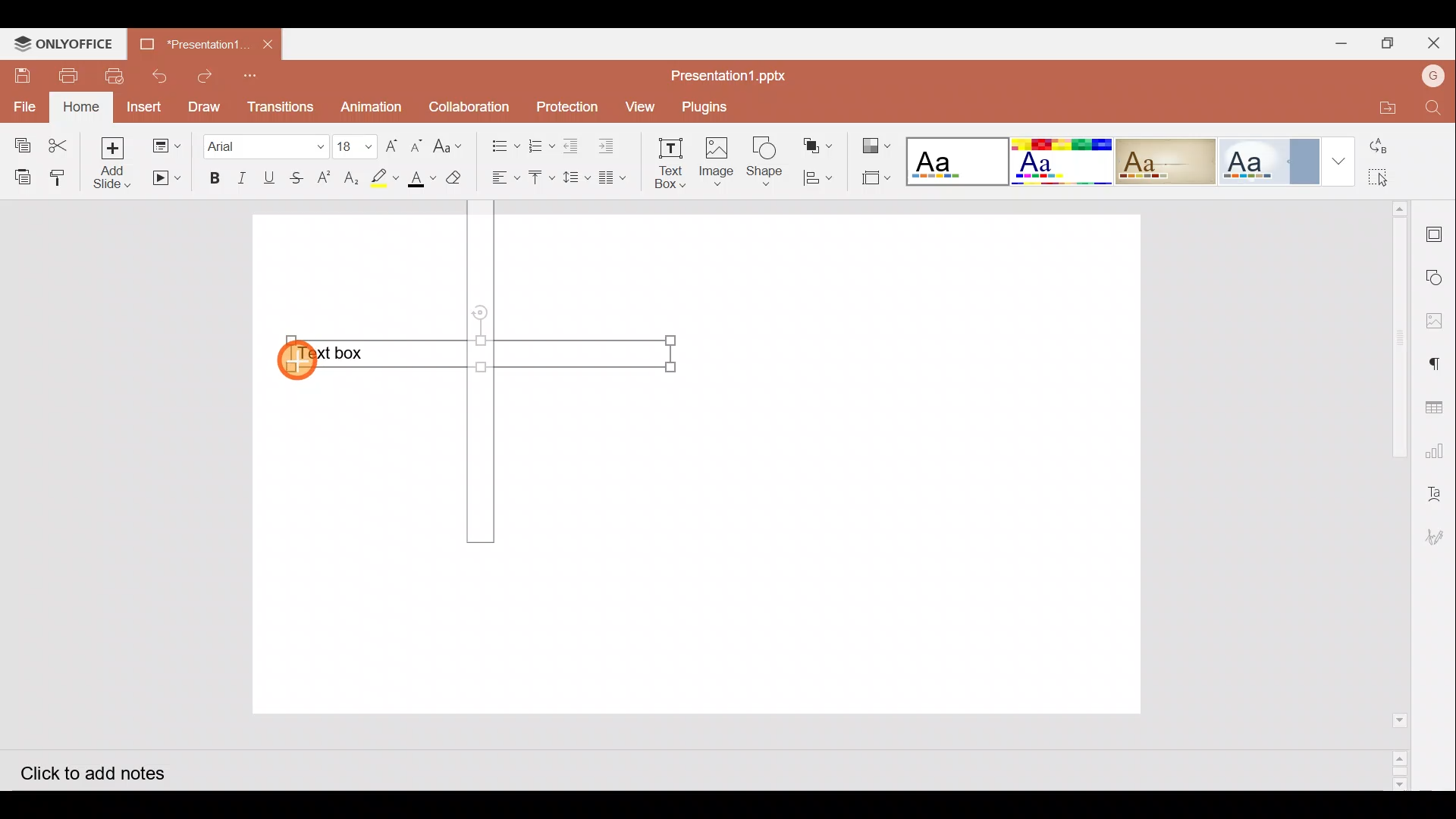  I want to click on View, so click(639, 105).